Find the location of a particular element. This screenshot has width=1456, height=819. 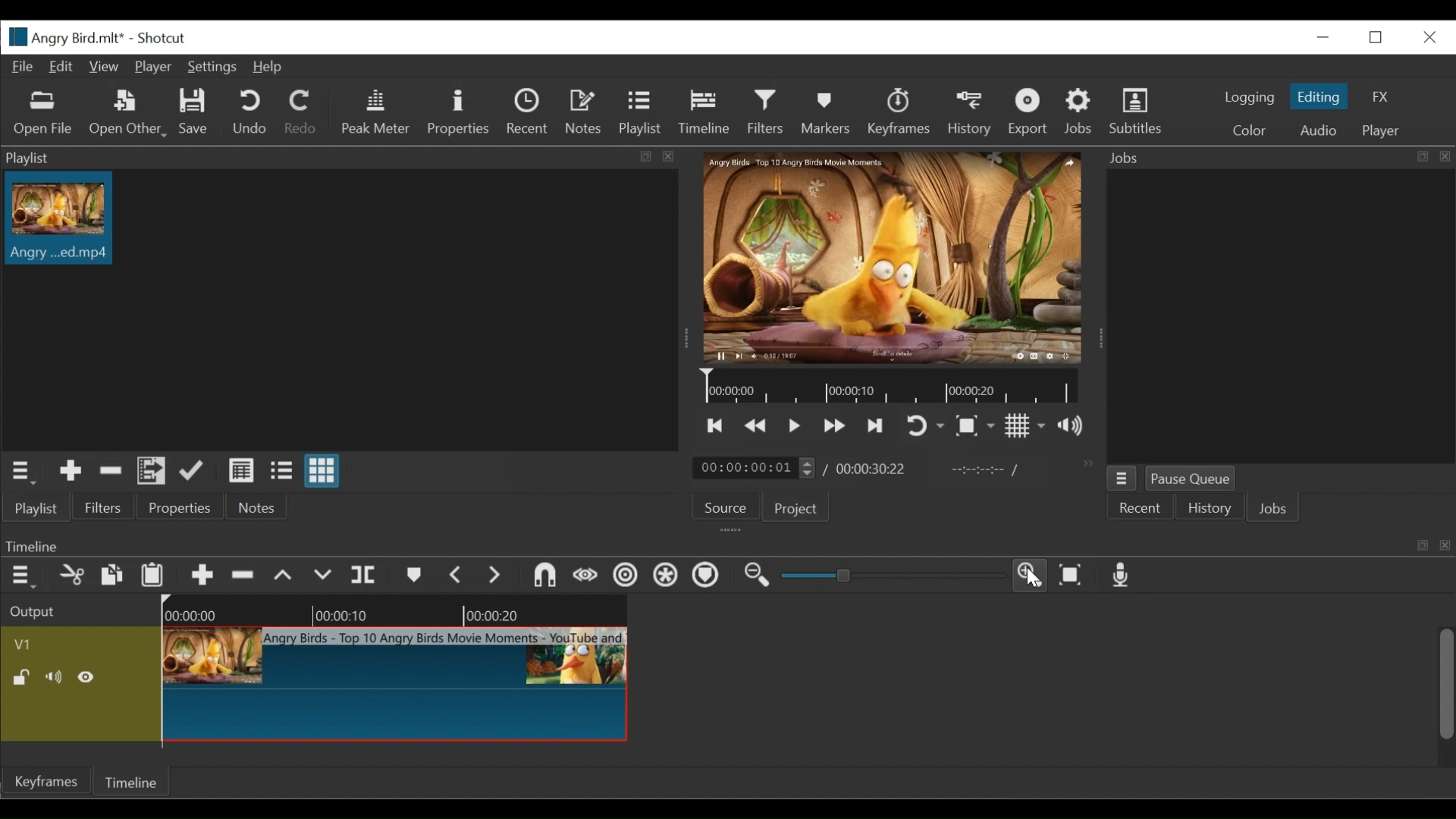

Next Marker is located at coordinates (498, 576).